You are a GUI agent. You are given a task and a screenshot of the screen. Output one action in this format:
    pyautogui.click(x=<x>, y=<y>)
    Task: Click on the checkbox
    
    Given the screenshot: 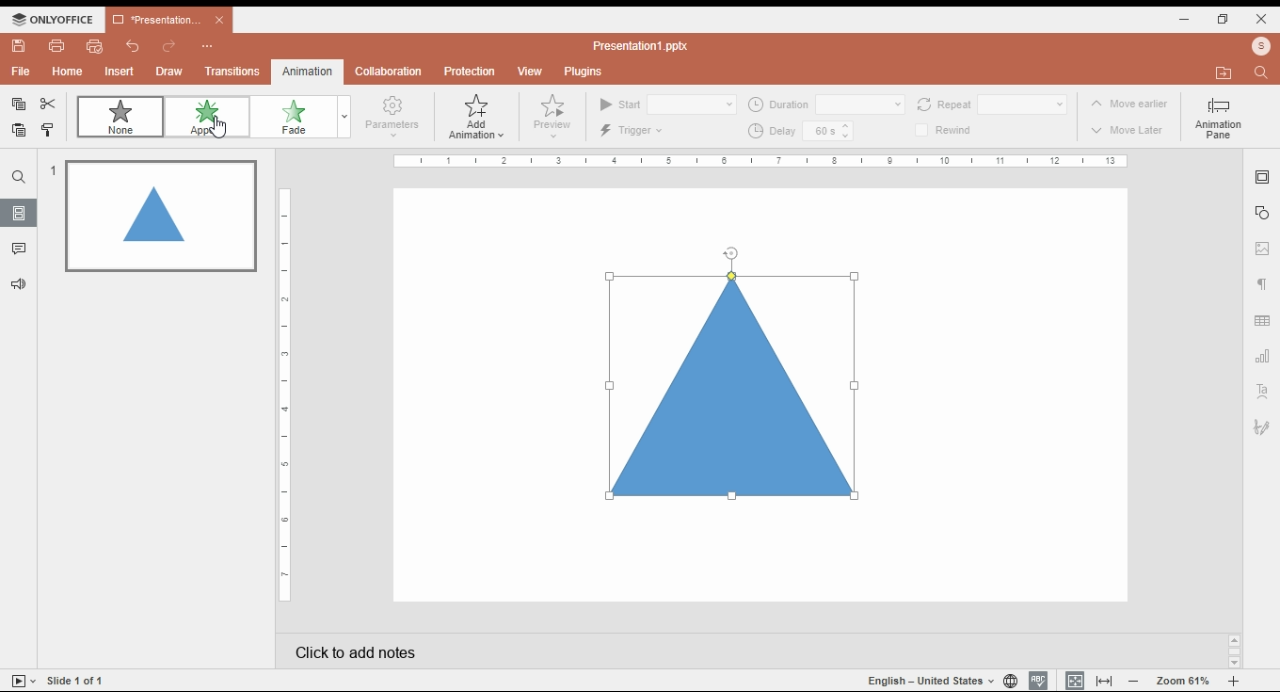 What is the action you would take?
    pyautogui.click(x=923, y=130)
    